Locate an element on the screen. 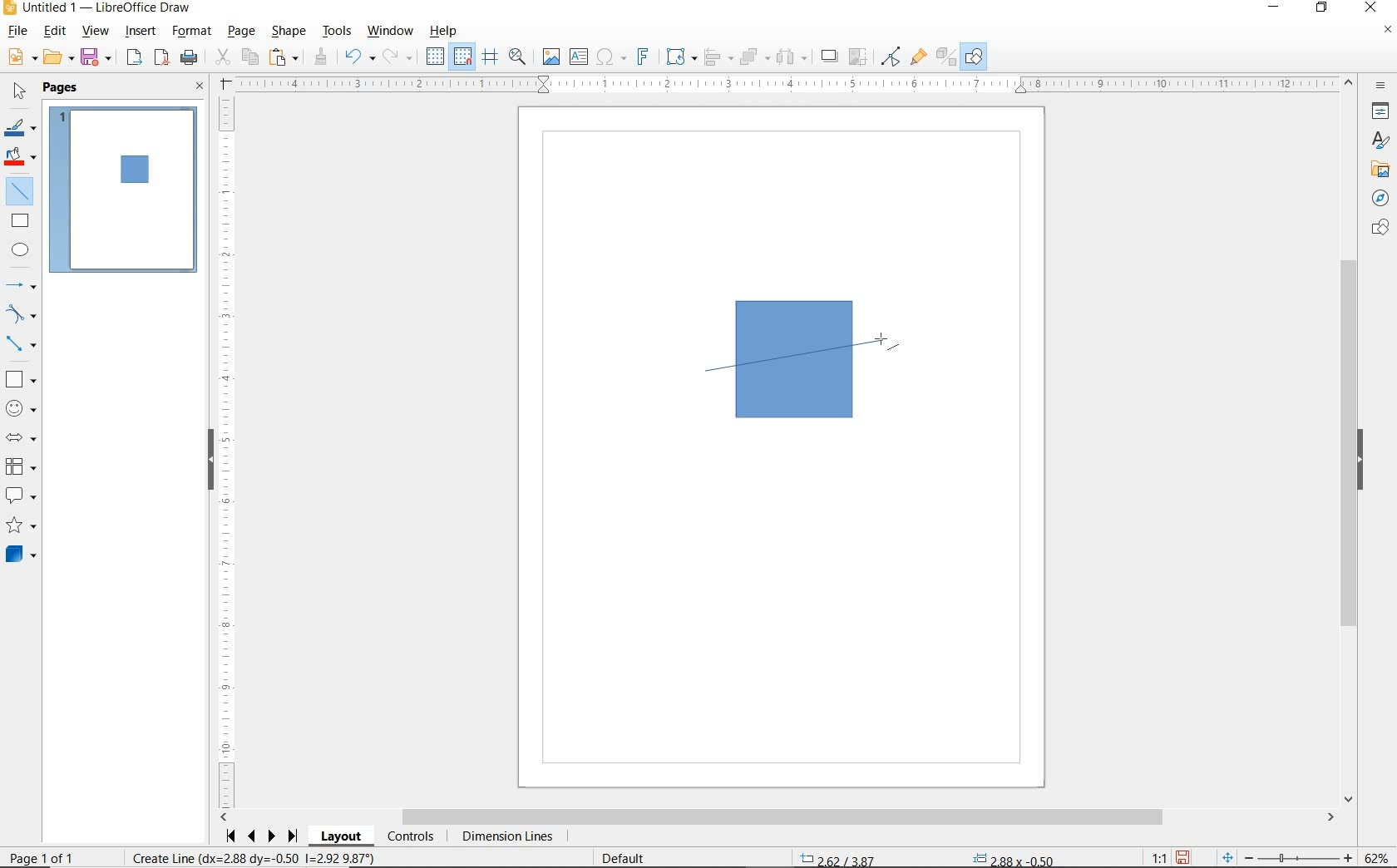  CUT is located at coordinates (222, 57).